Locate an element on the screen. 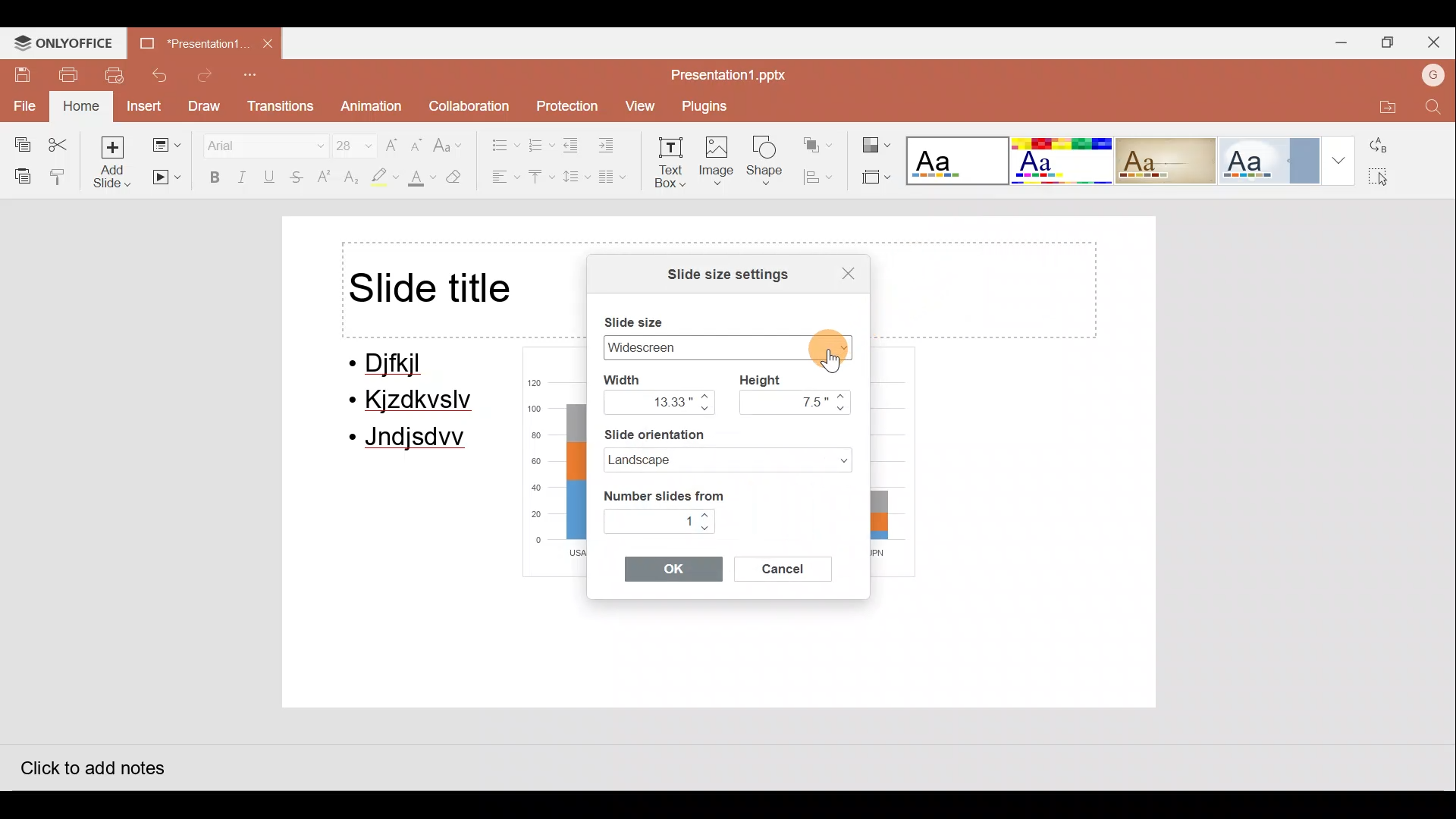 The width and height of the screenshot is (1456, 819). Width is located at coordinates (635, 378).